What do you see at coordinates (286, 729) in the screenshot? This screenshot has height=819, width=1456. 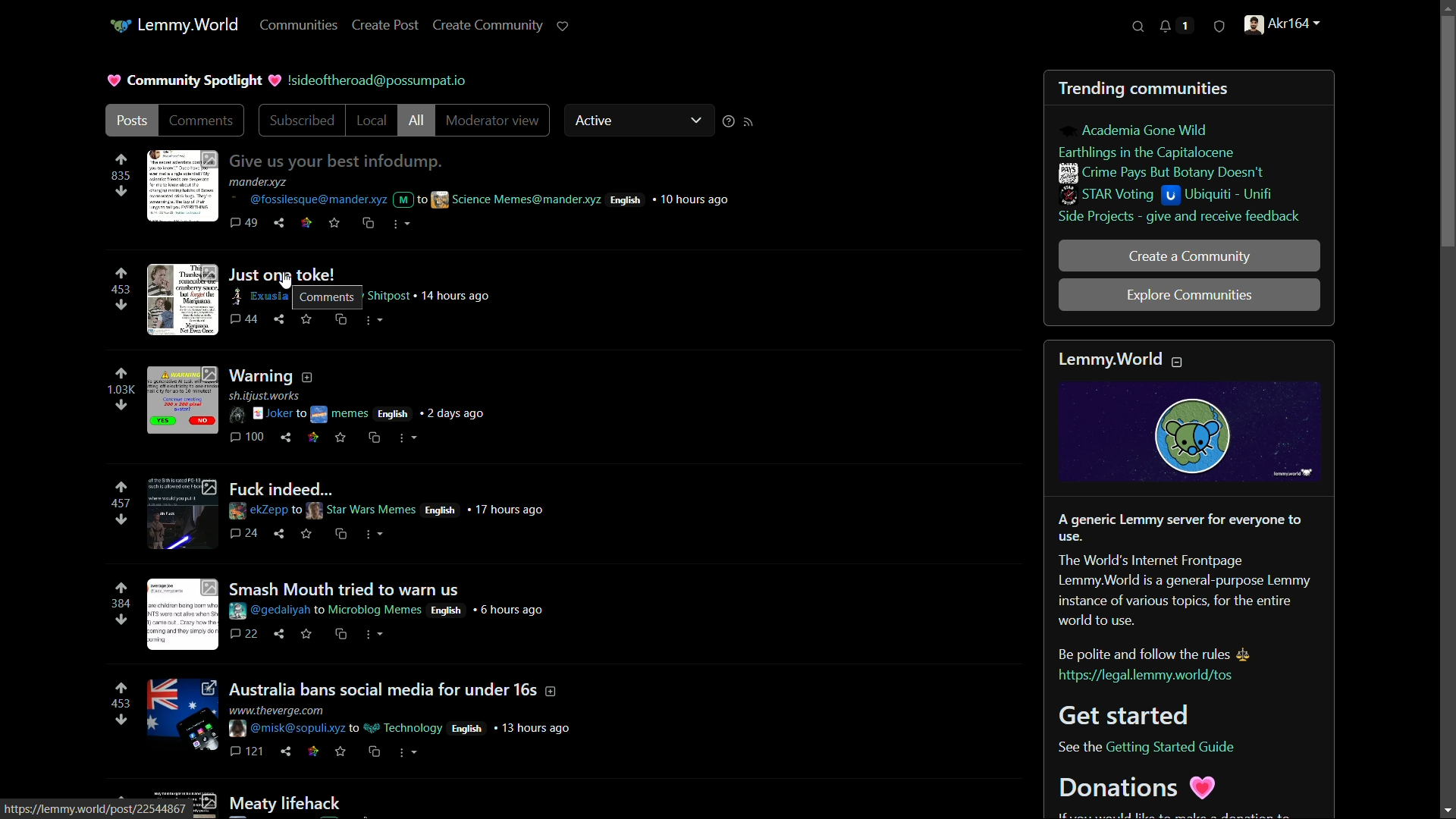 I see `@misk@sopuli.xyz` at bounding box center [286, 729].